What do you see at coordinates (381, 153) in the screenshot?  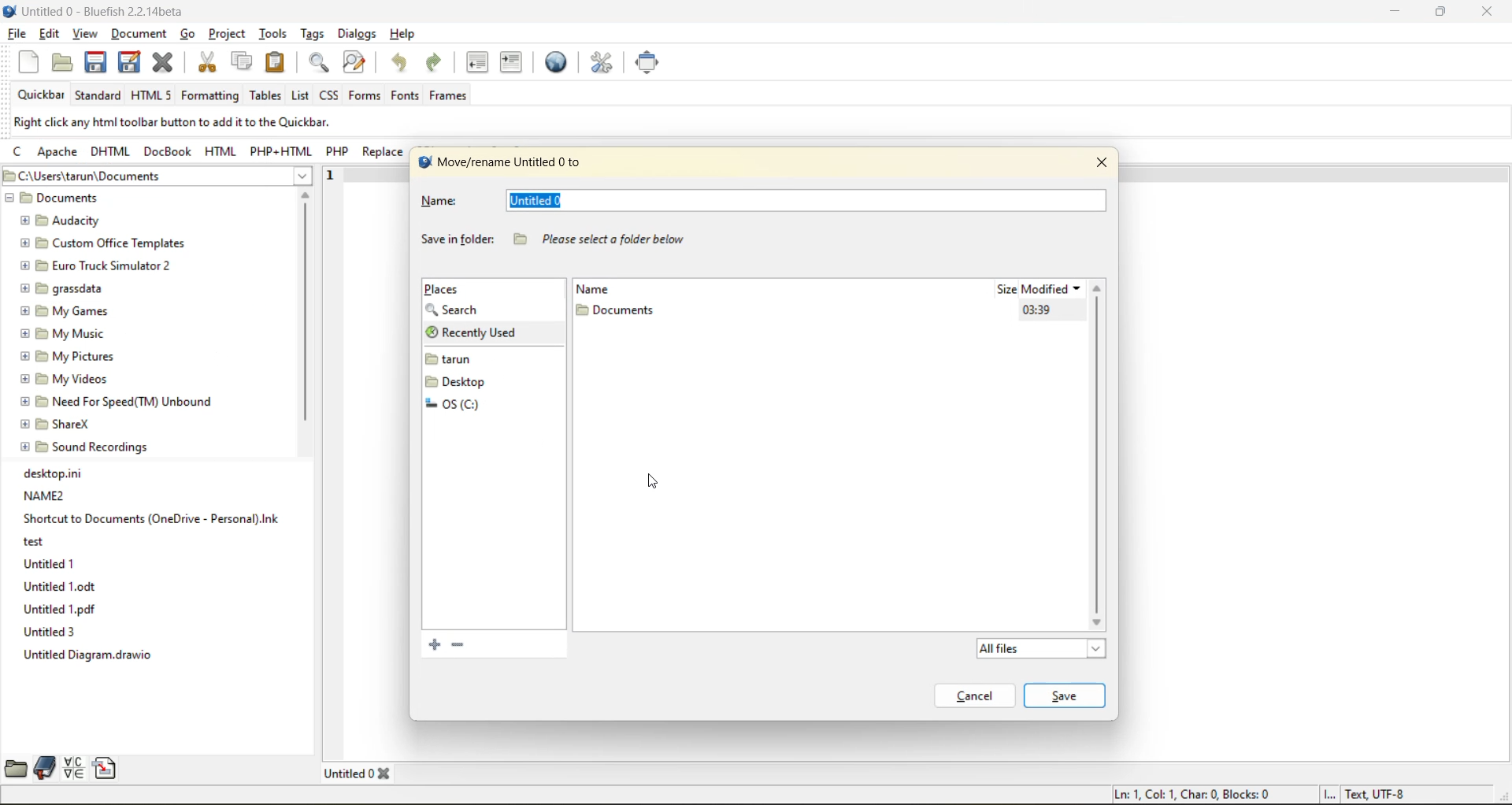 I see `replace` at bounding box center [381, 153].